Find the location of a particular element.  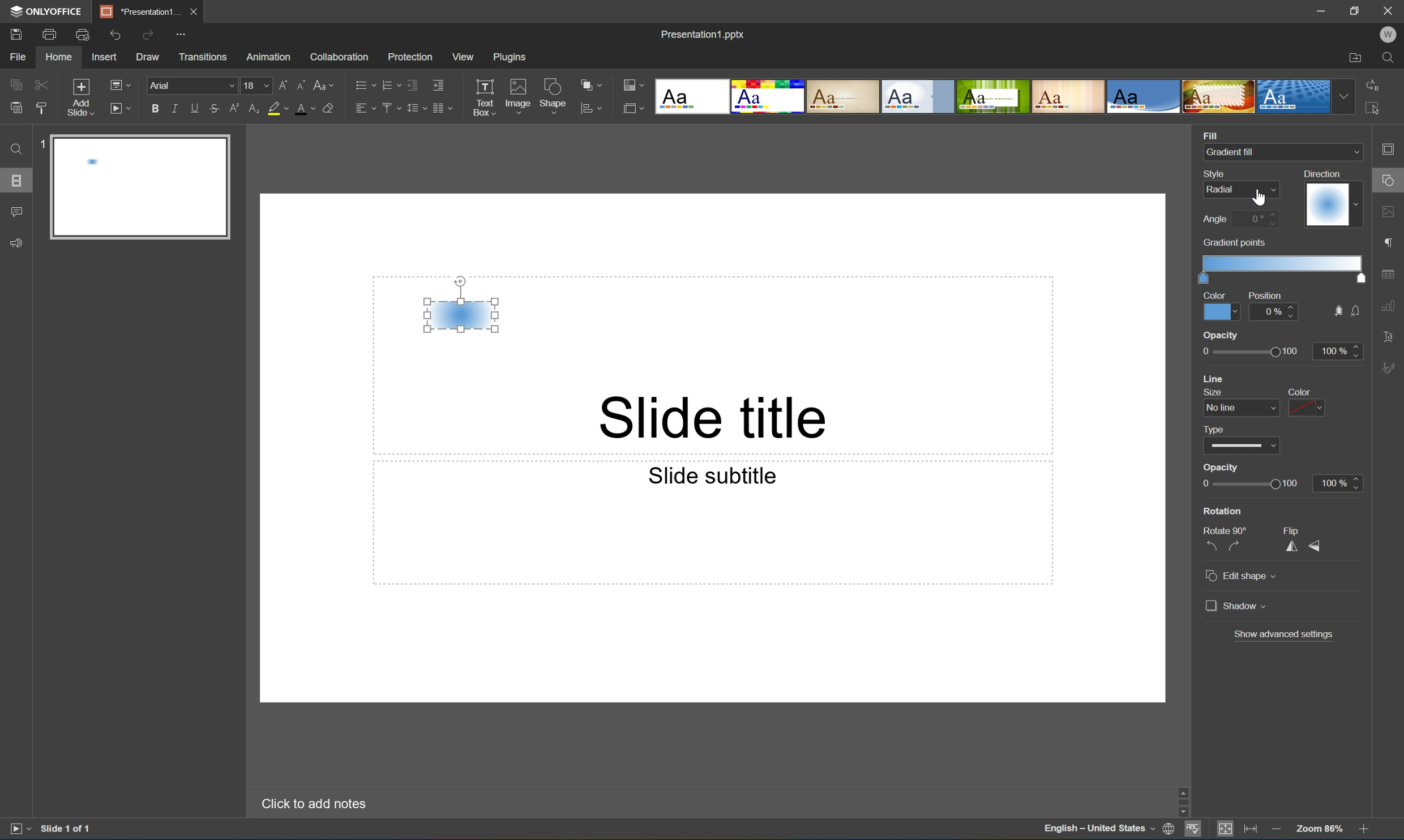

Superscript is located at coordinates (236, 109).